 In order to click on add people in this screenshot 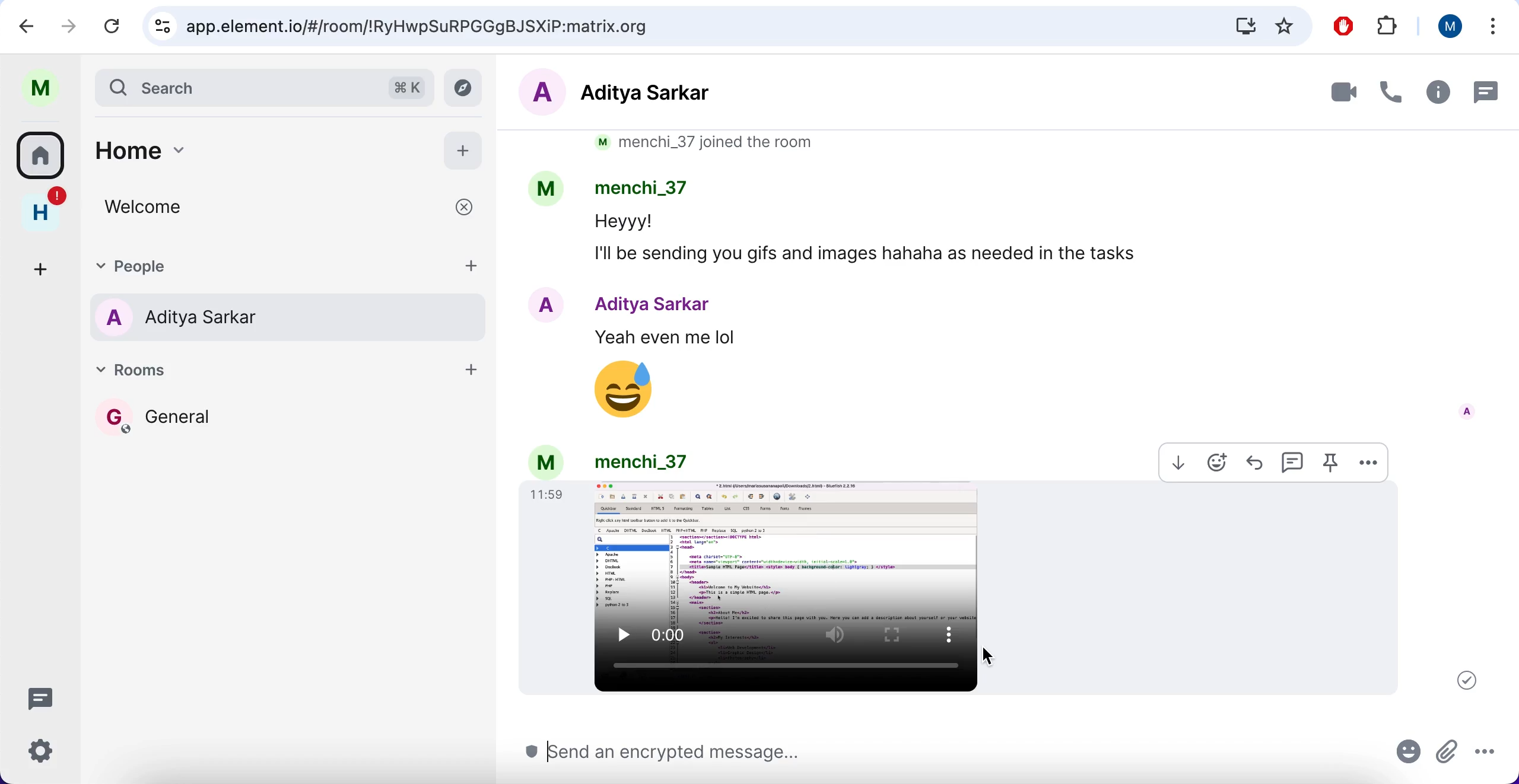, I will do `click(471, 266)`.